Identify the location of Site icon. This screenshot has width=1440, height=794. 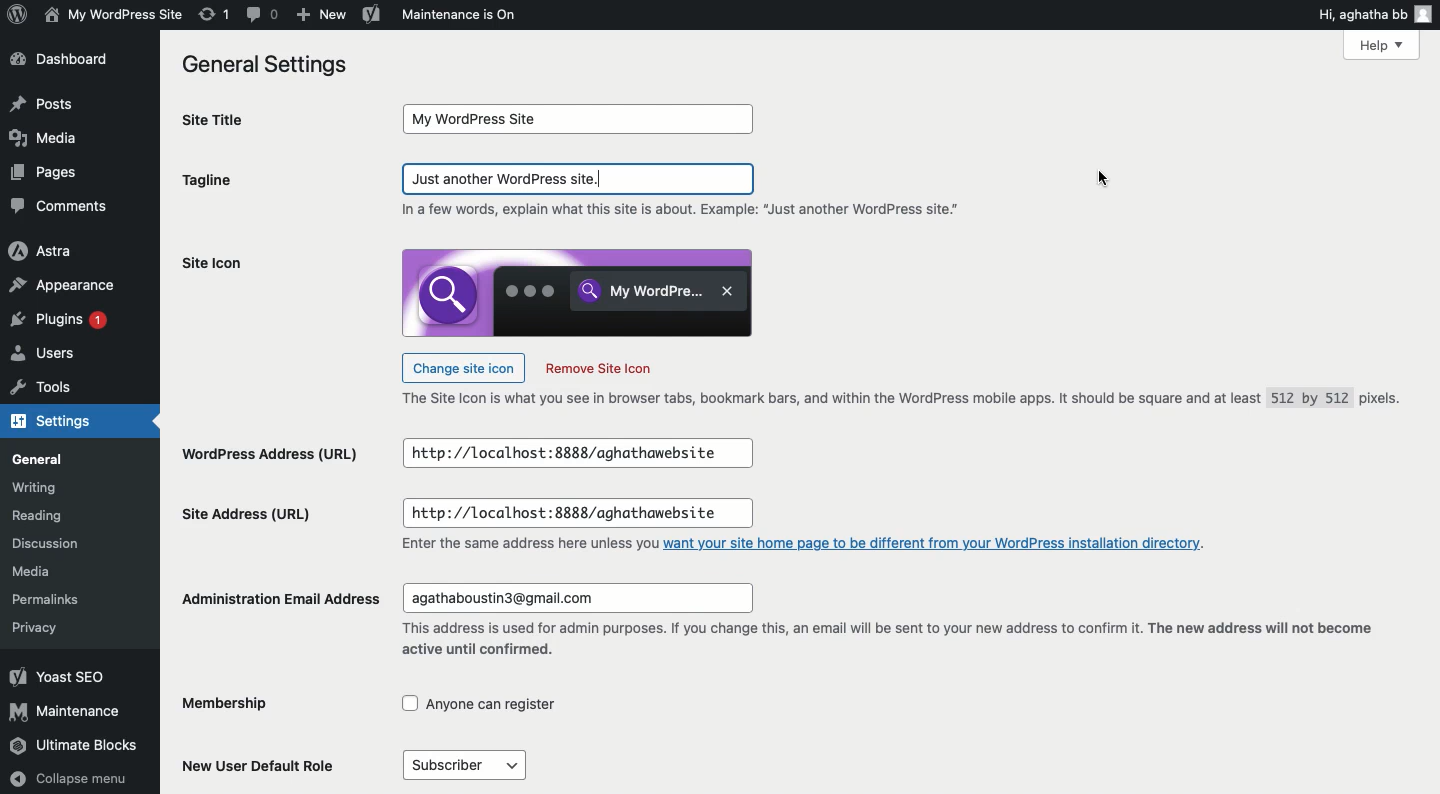
(212, 263).